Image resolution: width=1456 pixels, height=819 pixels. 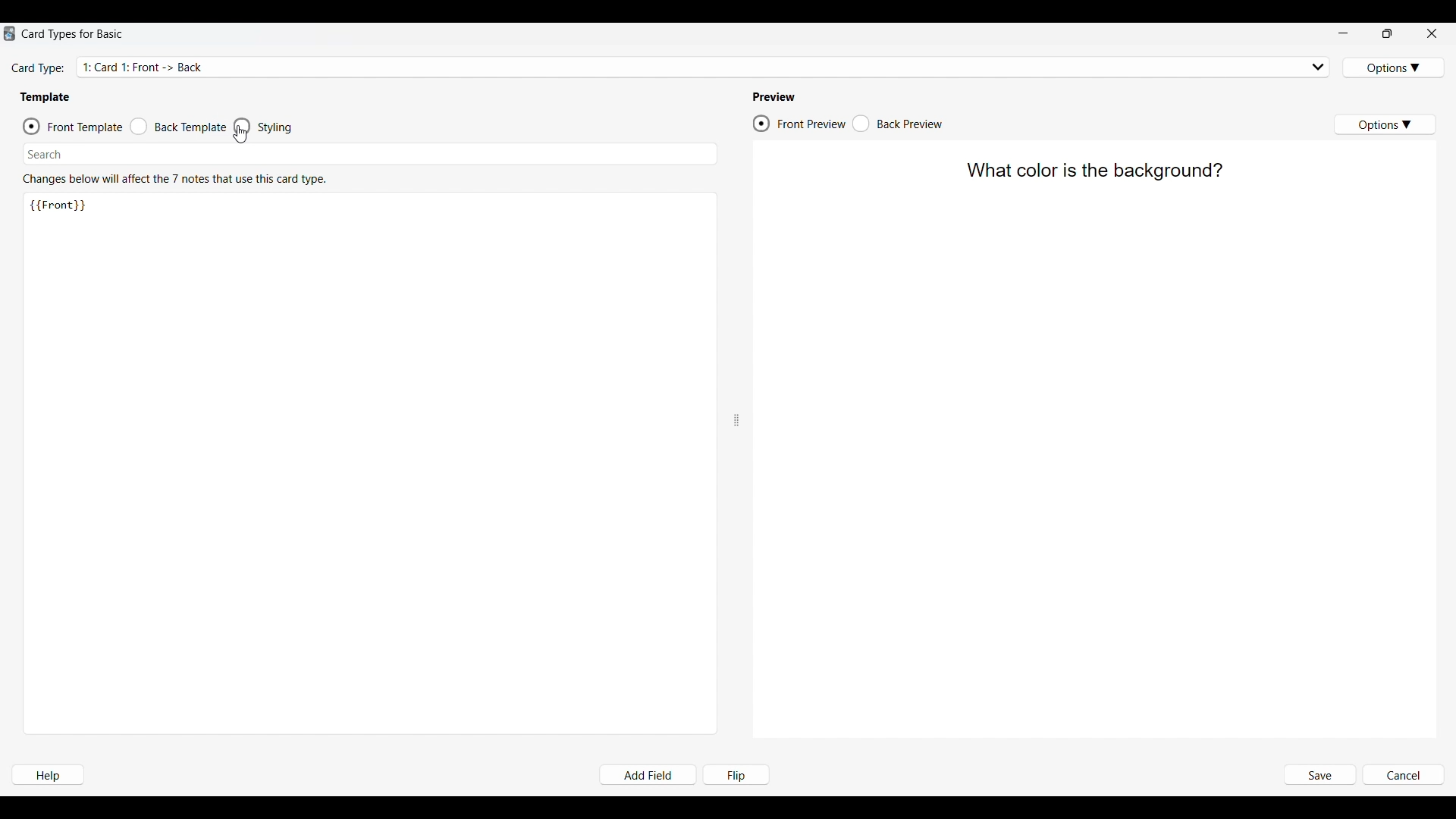 I want to click on Card type options, so click(x=1395, y=67).